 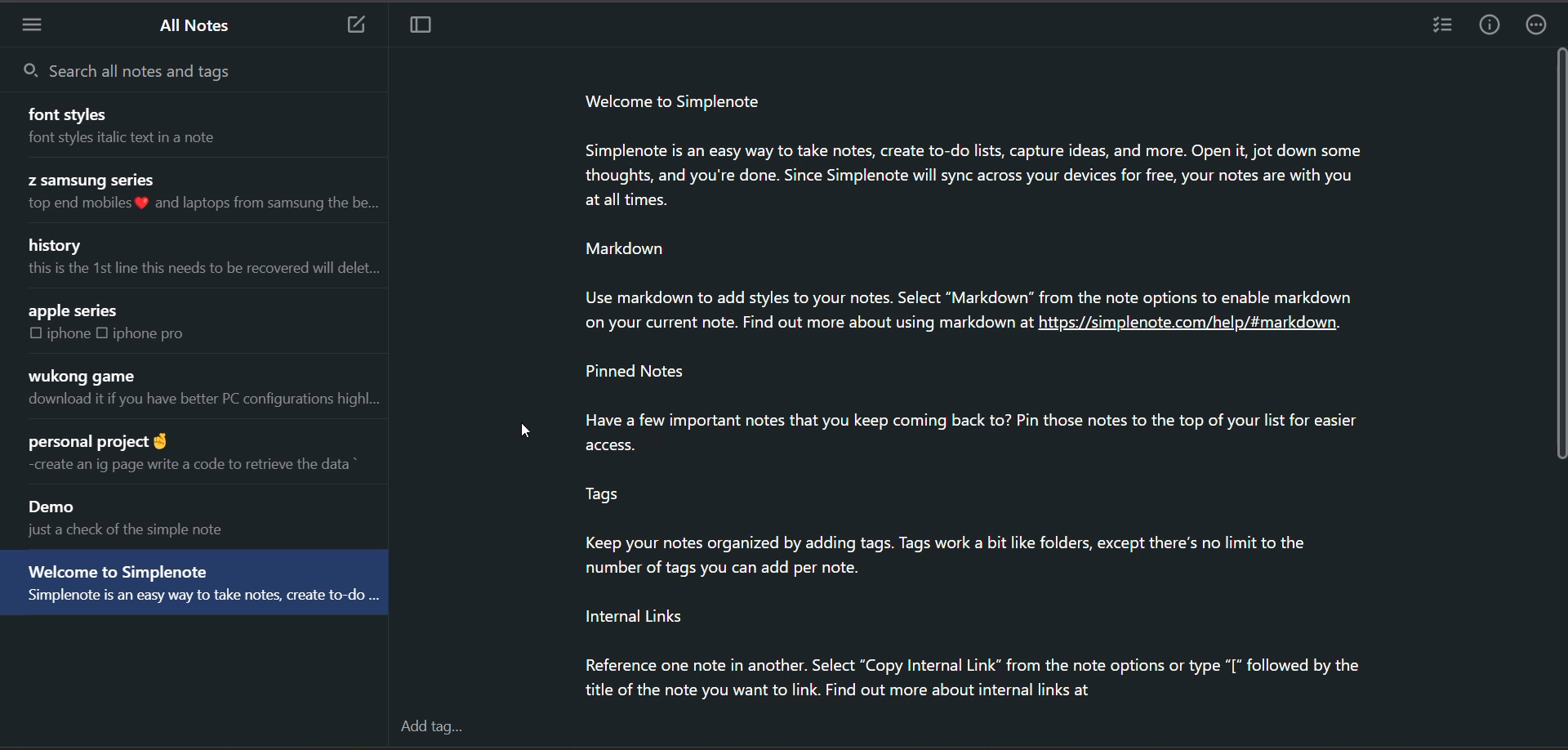 I want to click on wukong game, so click(x=82, y=376).